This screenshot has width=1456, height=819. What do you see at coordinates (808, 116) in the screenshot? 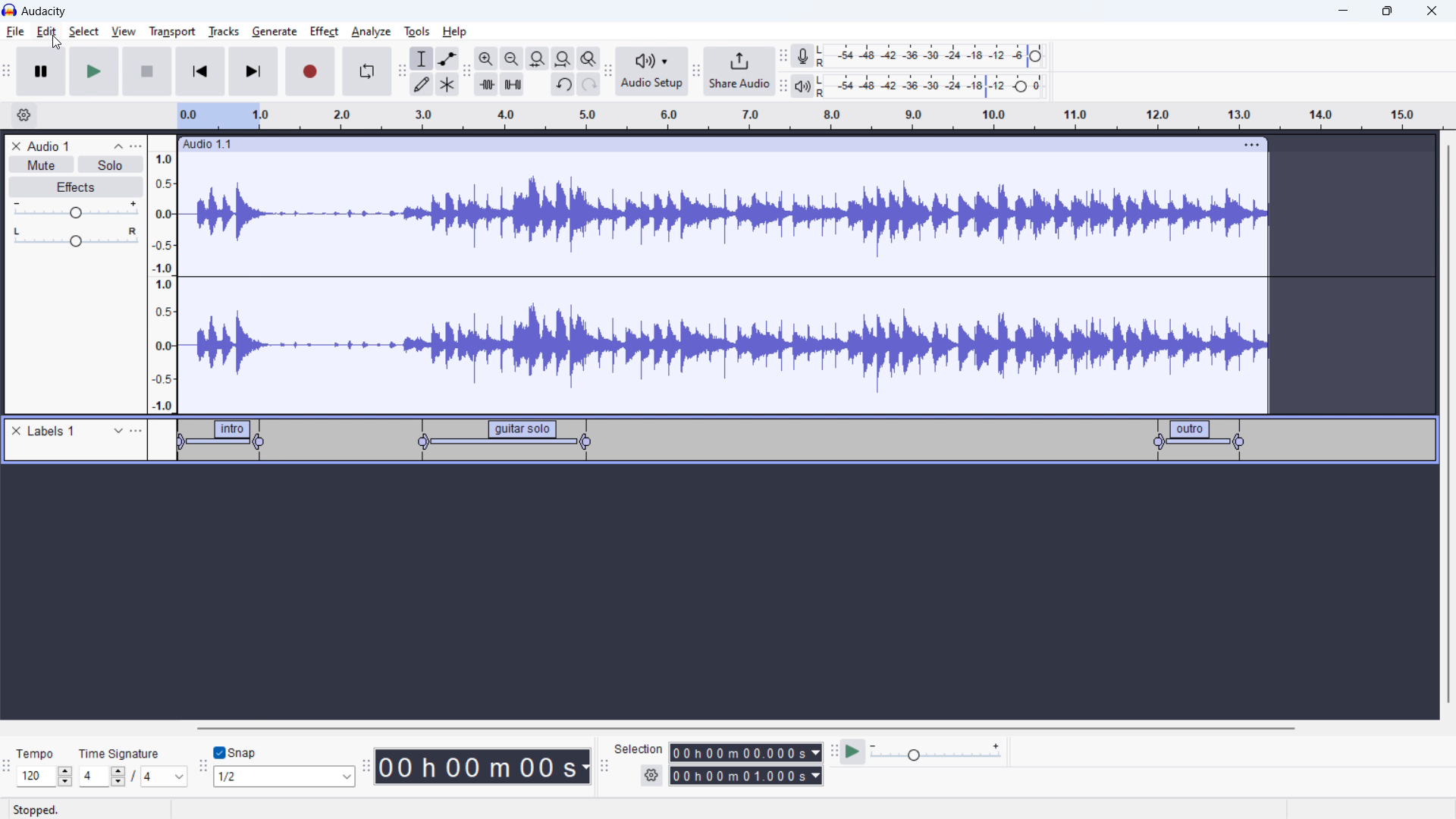
I see `timeline` at bounding box center [808, 116].